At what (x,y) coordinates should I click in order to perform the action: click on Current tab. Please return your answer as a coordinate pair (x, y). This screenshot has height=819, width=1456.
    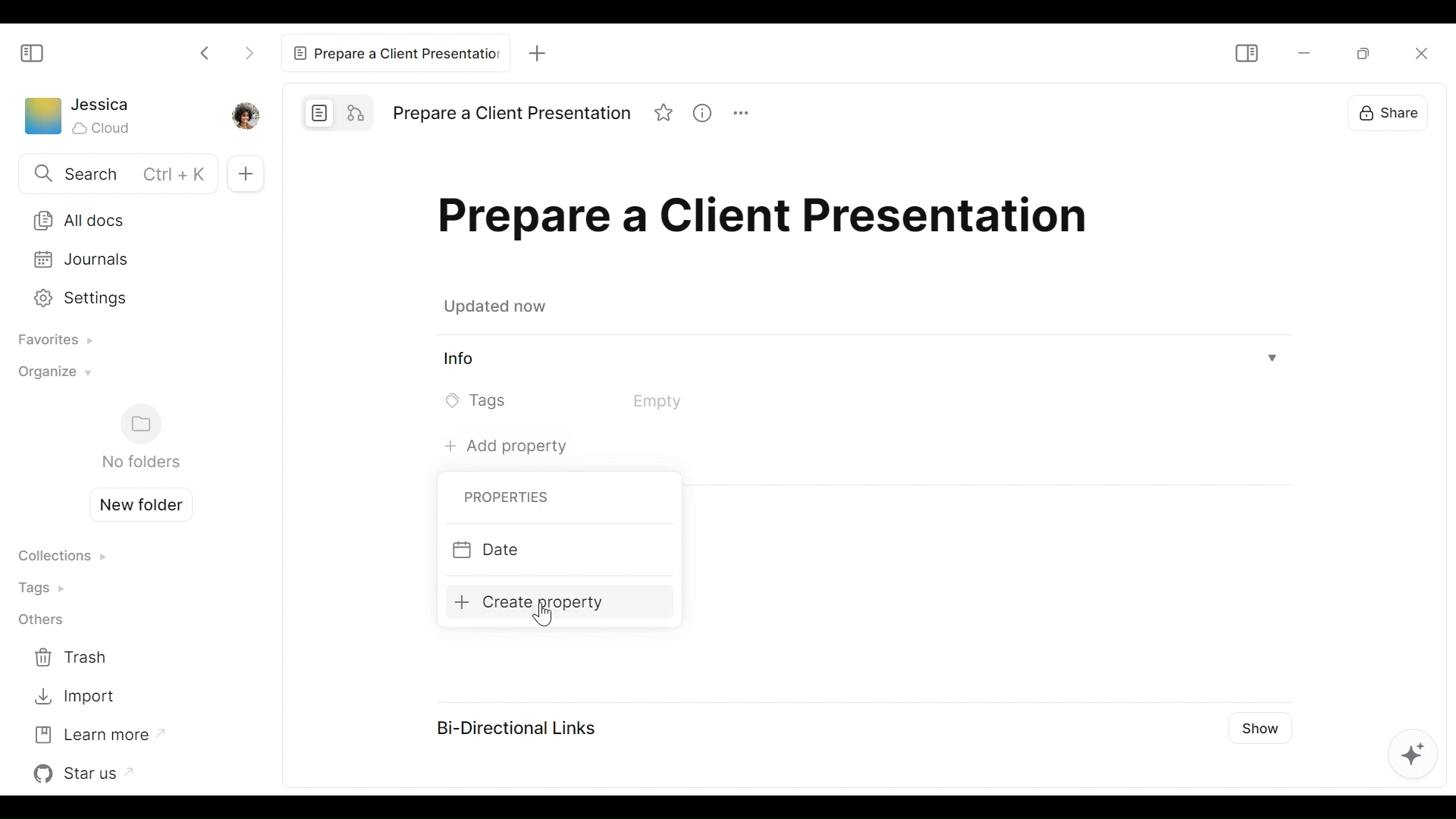
    Looking at the image, I should click on (395, 52).